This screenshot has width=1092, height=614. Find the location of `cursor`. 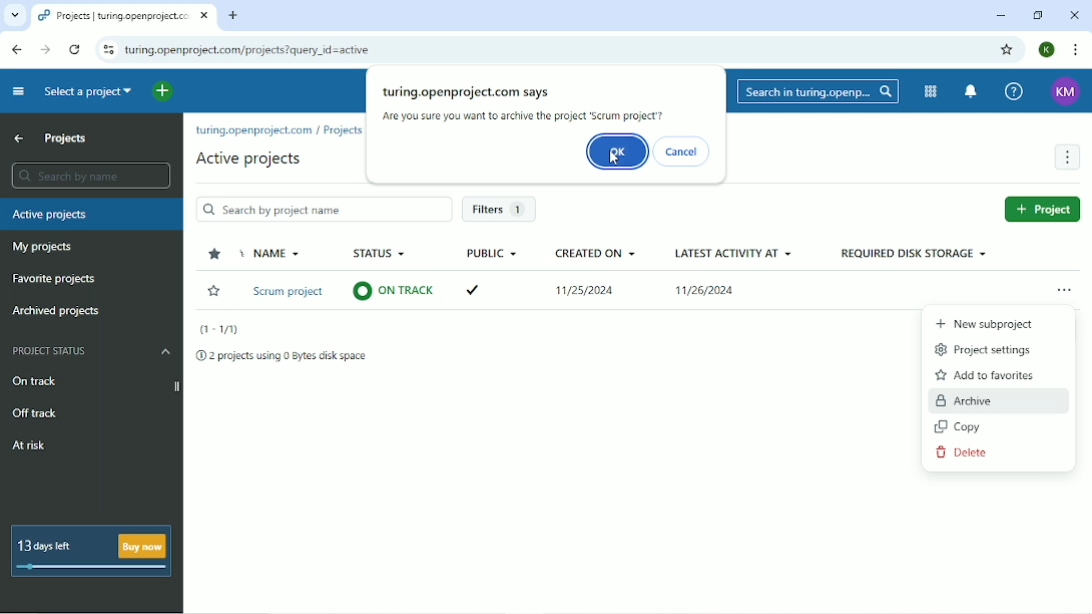

cursor is located at coordinates (612, 158).